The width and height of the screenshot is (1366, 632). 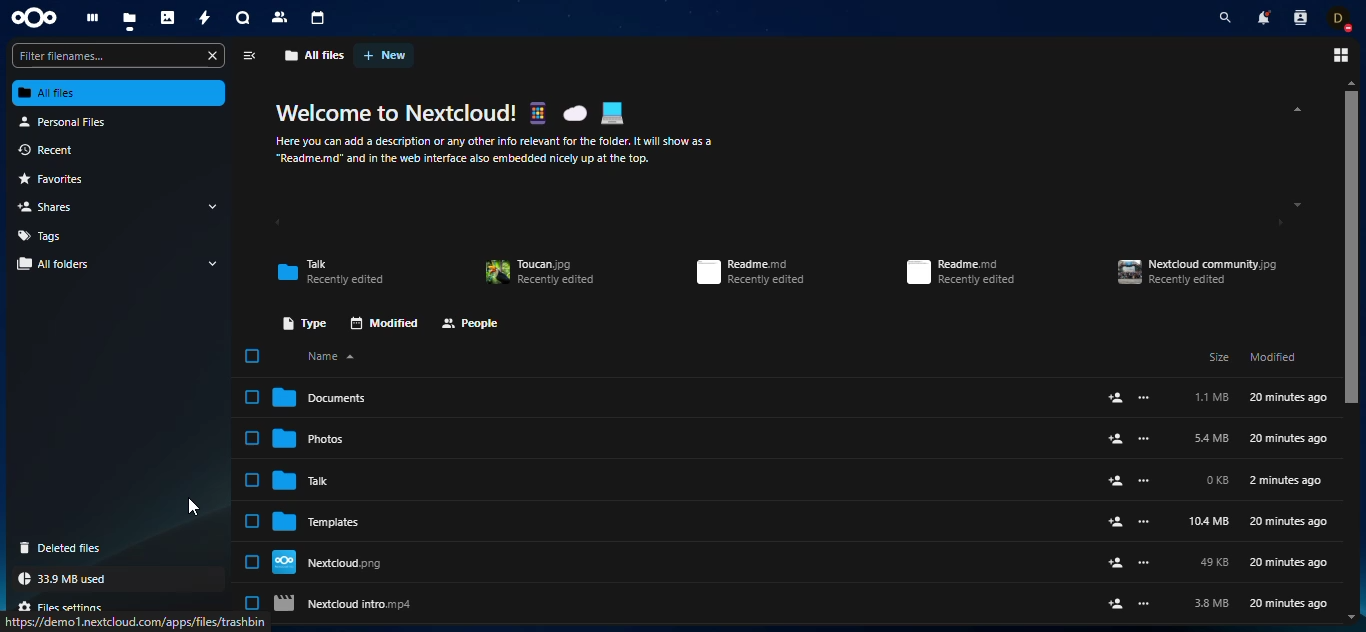 What do you see at coordinates (351, 602) in the screenshot?
I see `Nextcloud intro.mp4` at bounding box center [351, 602].